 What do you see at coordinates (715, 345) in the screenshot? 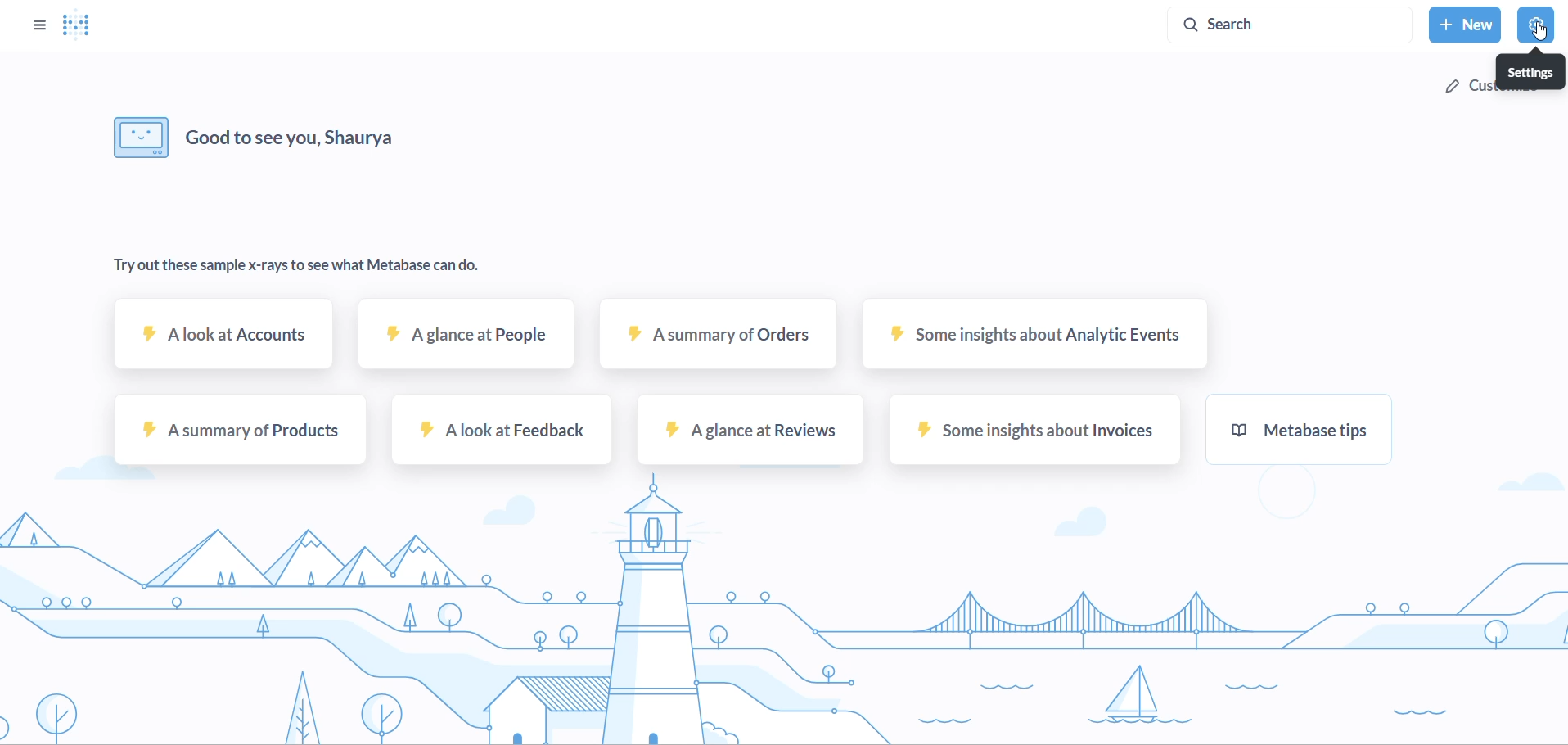
I see `A summary of orders sample` at bounding box center [715, 345].